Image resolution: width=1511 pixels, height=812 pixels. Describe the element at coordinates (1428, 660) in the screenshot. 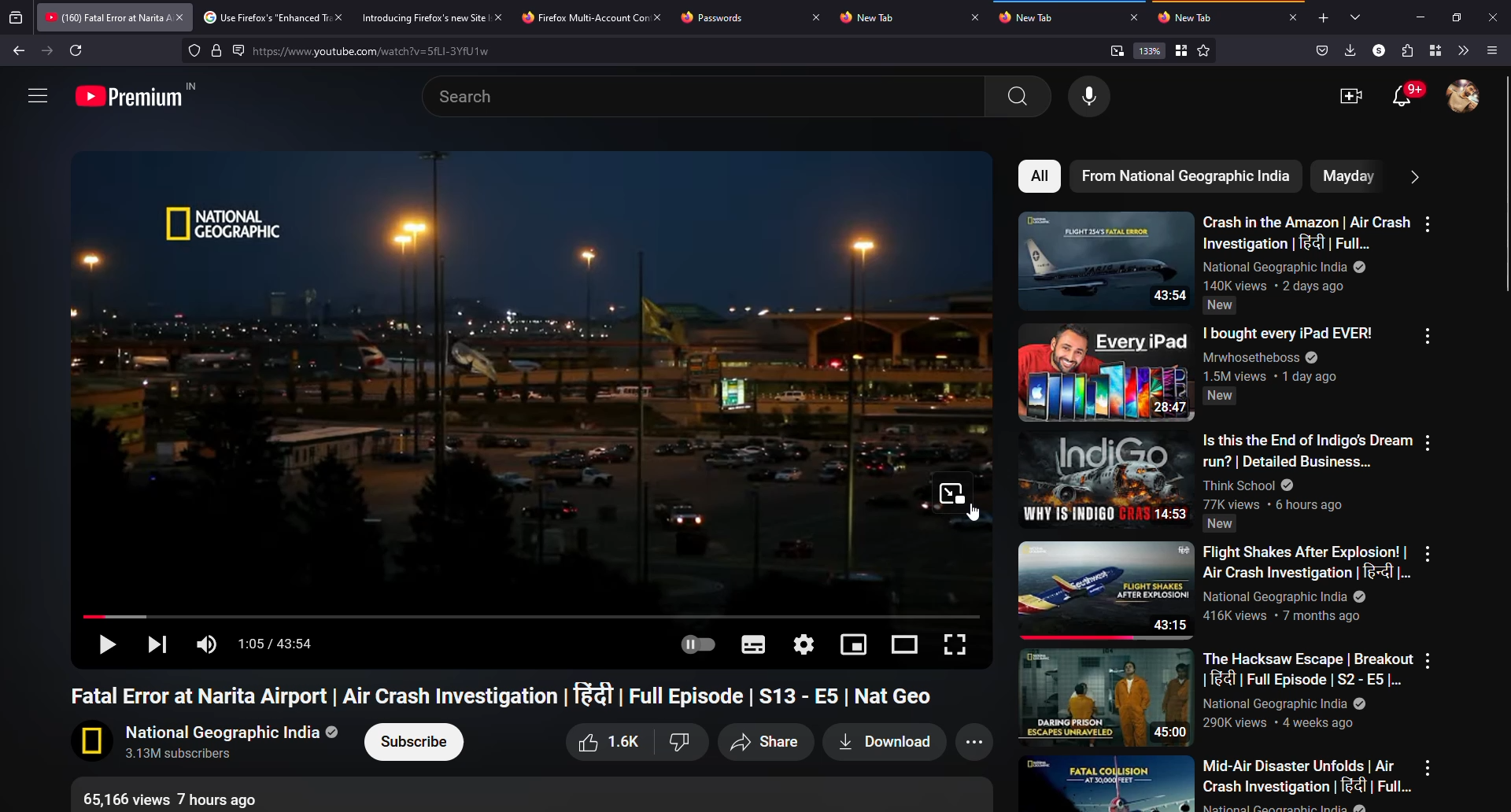

I see `more` at that location.